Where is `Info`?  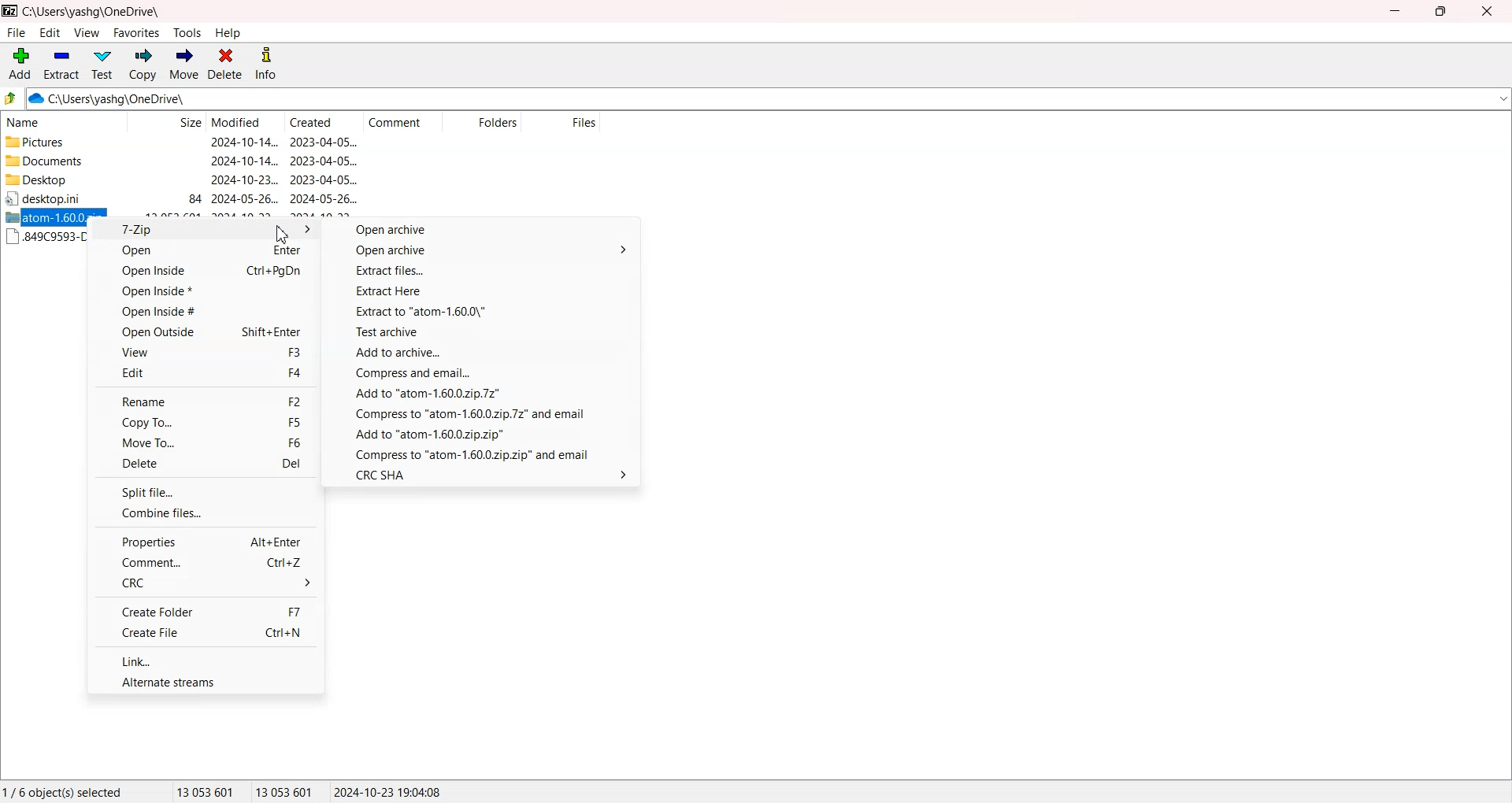
Info is located at coordinates (265, 65).